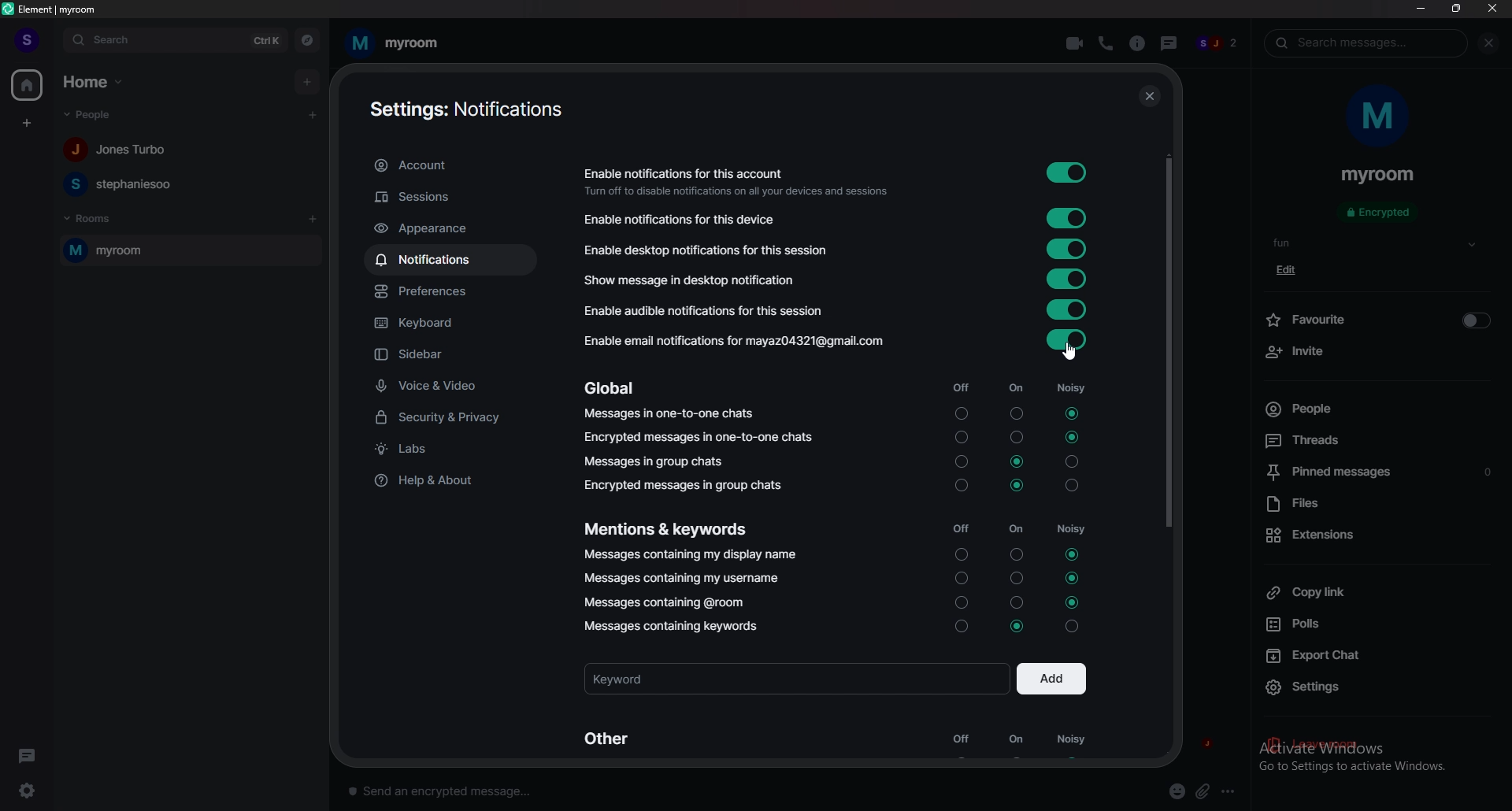  Describe the element at coordinates (313, 219) in the screenshot. I see `add room` at that location.